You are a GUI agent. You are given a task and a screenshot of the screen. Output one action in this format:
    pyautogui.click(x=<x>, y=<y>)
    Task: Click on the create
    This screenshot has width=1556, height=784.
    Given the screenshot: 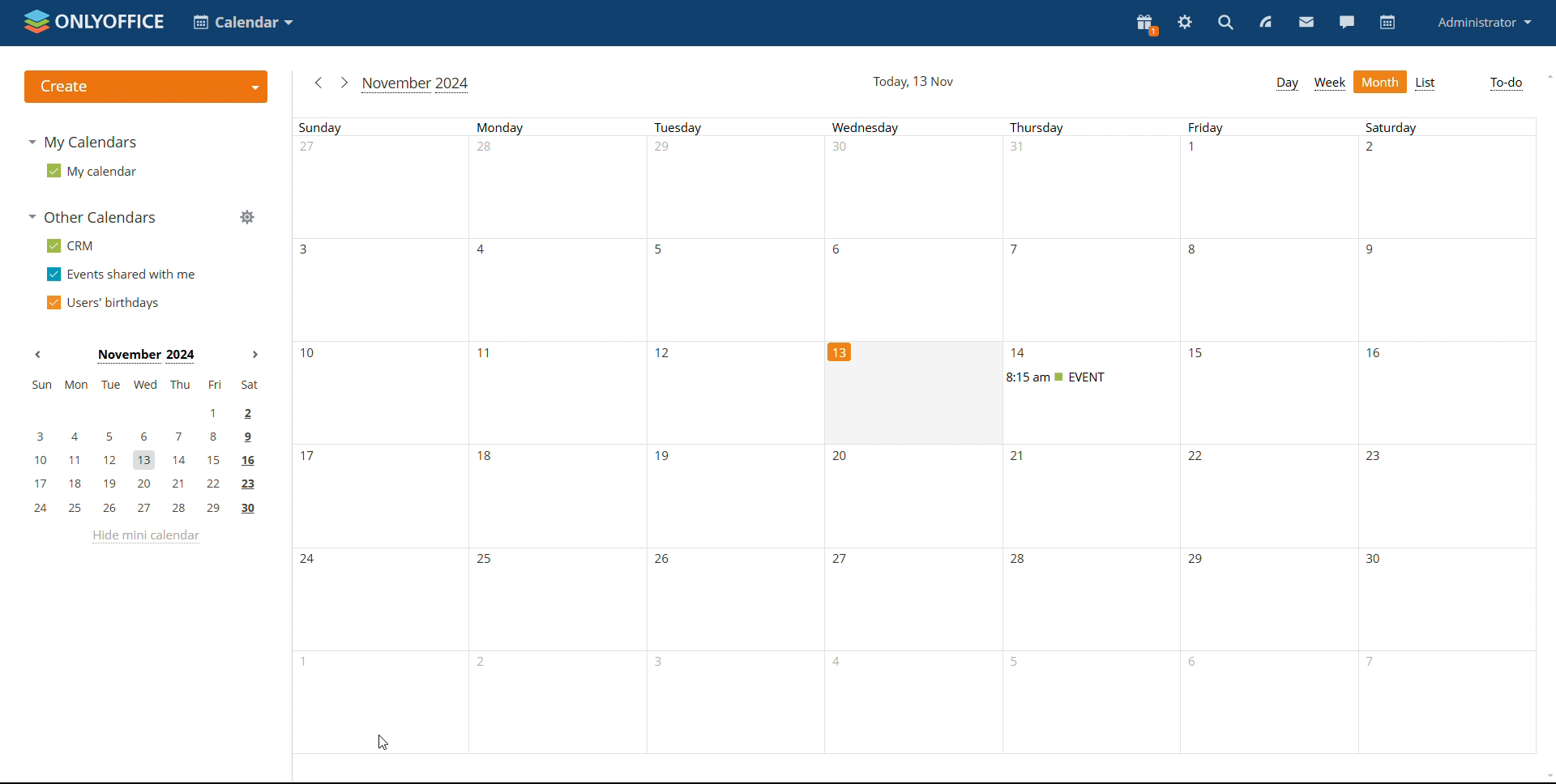 What is the action you would take?
    pyautogui.click(x=144, y=87)
    